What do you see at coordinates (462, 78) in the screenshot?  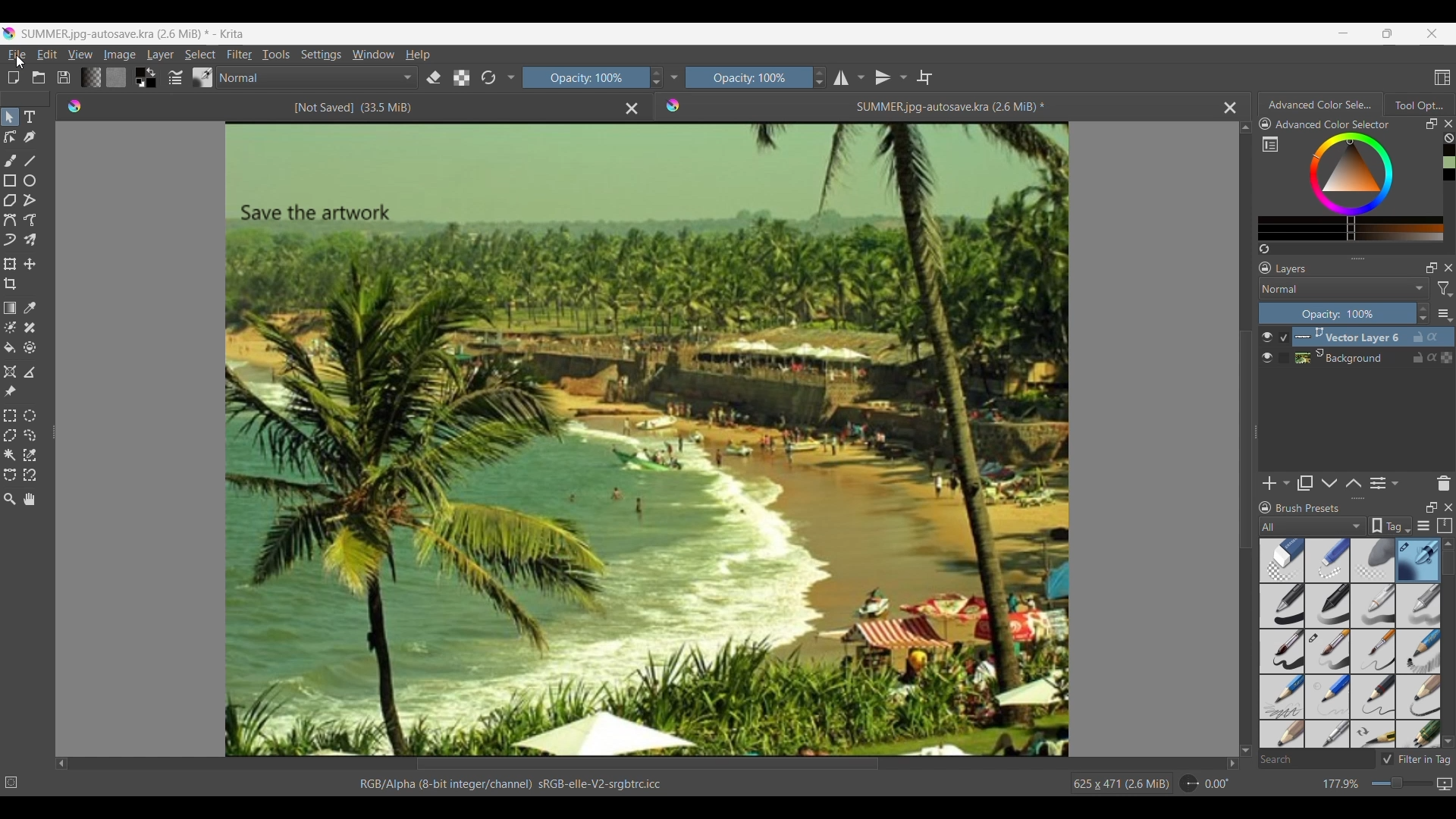 I see `Preserve Alpha` at bounding box center [462, 78].